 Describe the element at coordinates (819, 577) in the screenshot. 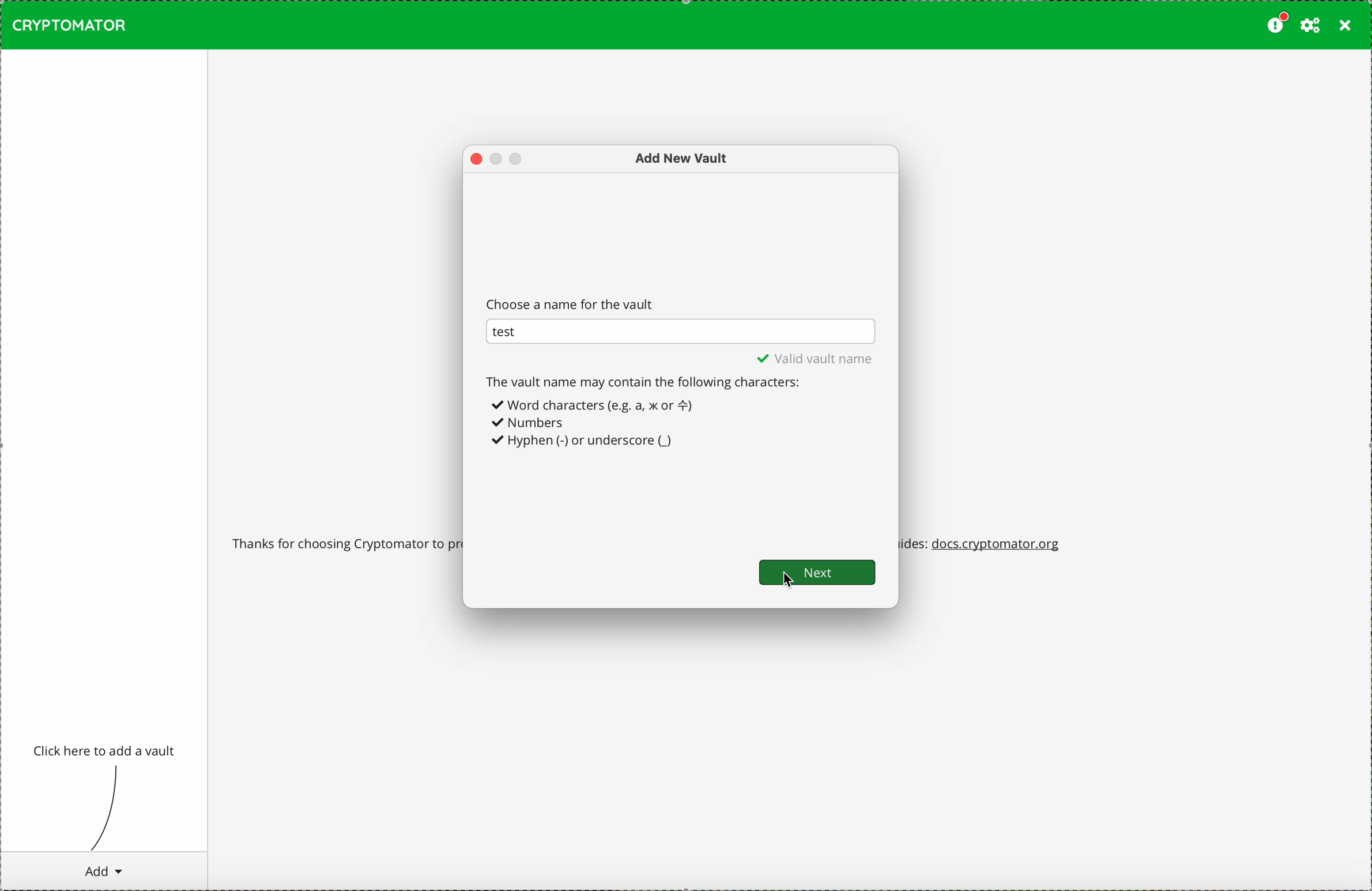

I see `cursor on next button` at that location.